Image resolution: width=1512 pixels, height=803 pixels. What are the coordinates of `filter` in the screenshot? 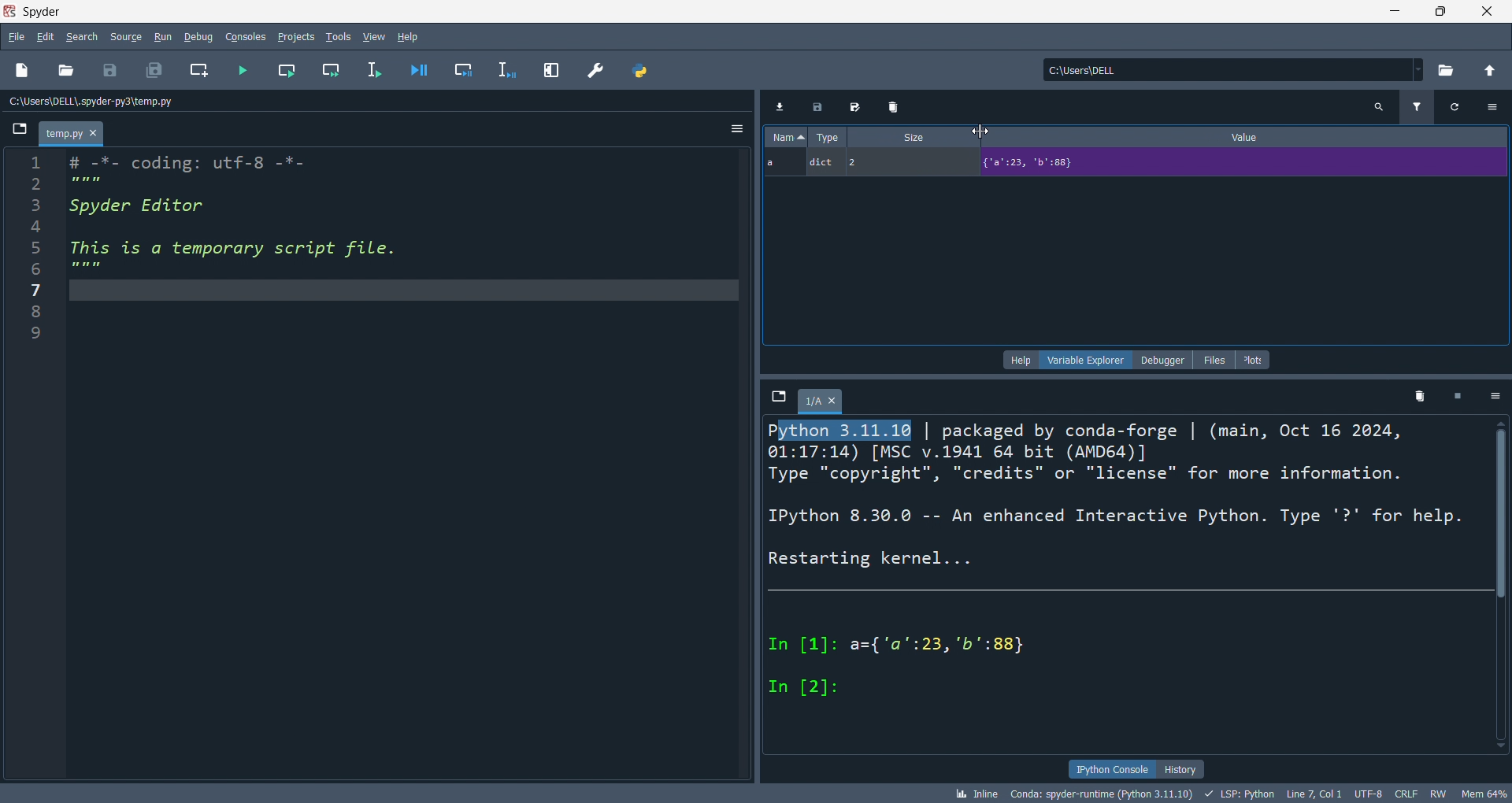 It's located at (1416, 107).